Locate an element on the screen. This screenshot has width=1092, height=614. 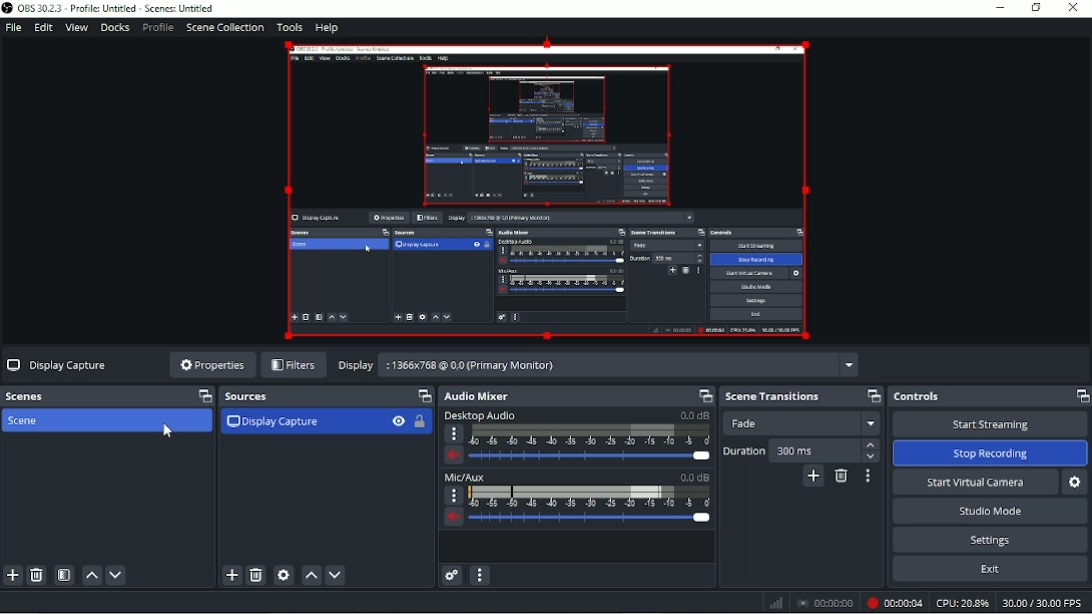
More Options is located at coordinates (451, 495).